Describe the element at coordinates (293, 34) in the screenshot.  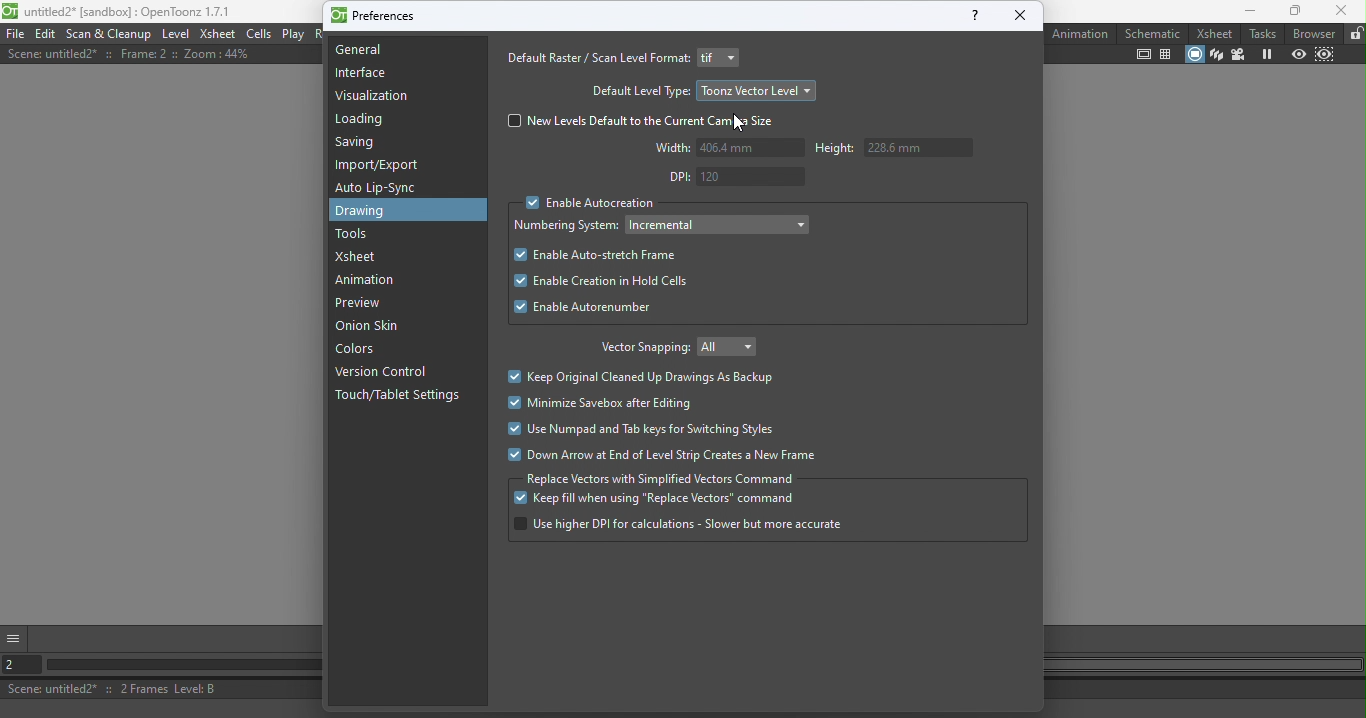
I see `Play` at that location.